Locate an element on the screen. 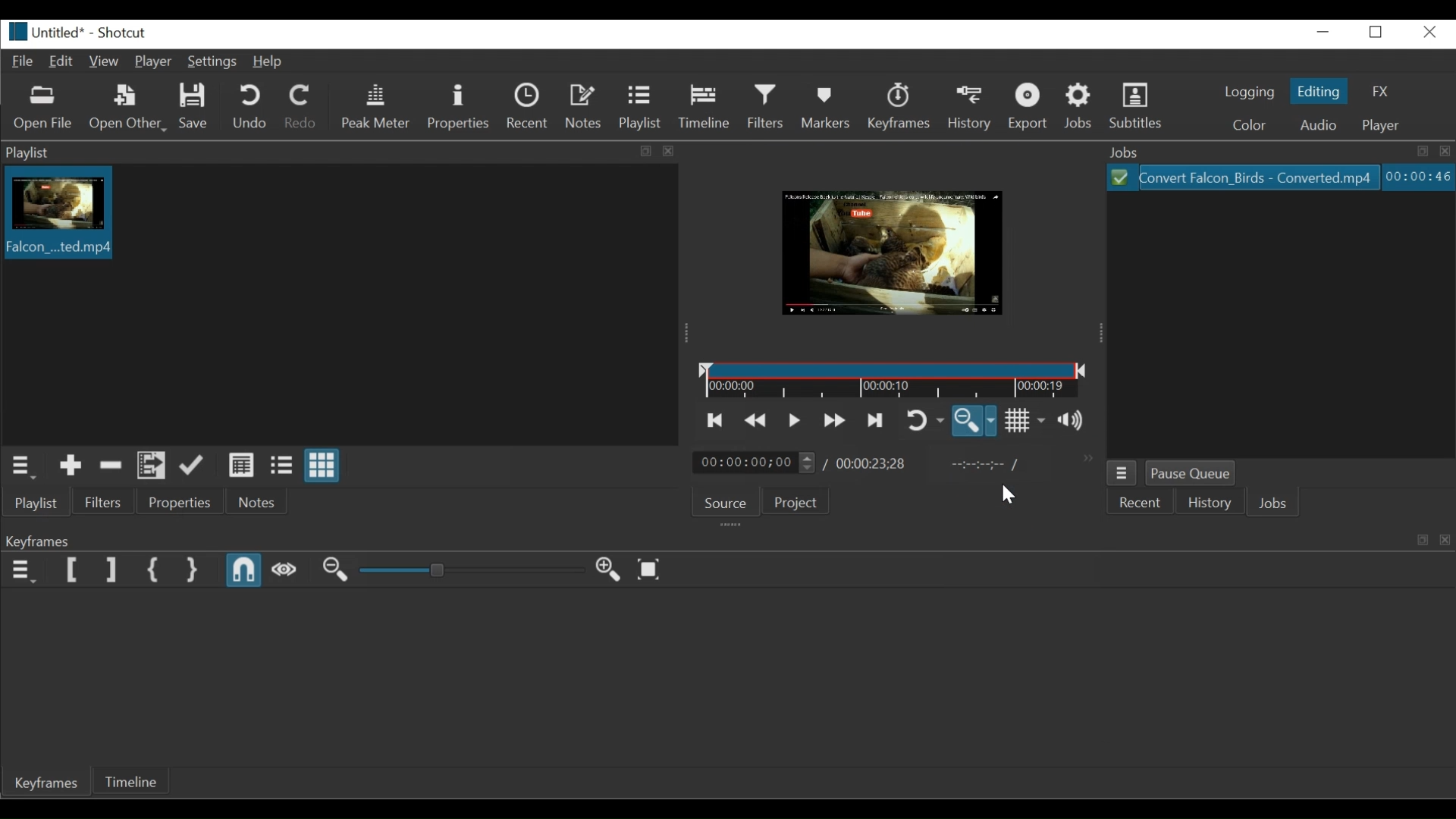 The height and width of the screenshot is (819, 1456). Remove cut is located at coordinates (111, 466).